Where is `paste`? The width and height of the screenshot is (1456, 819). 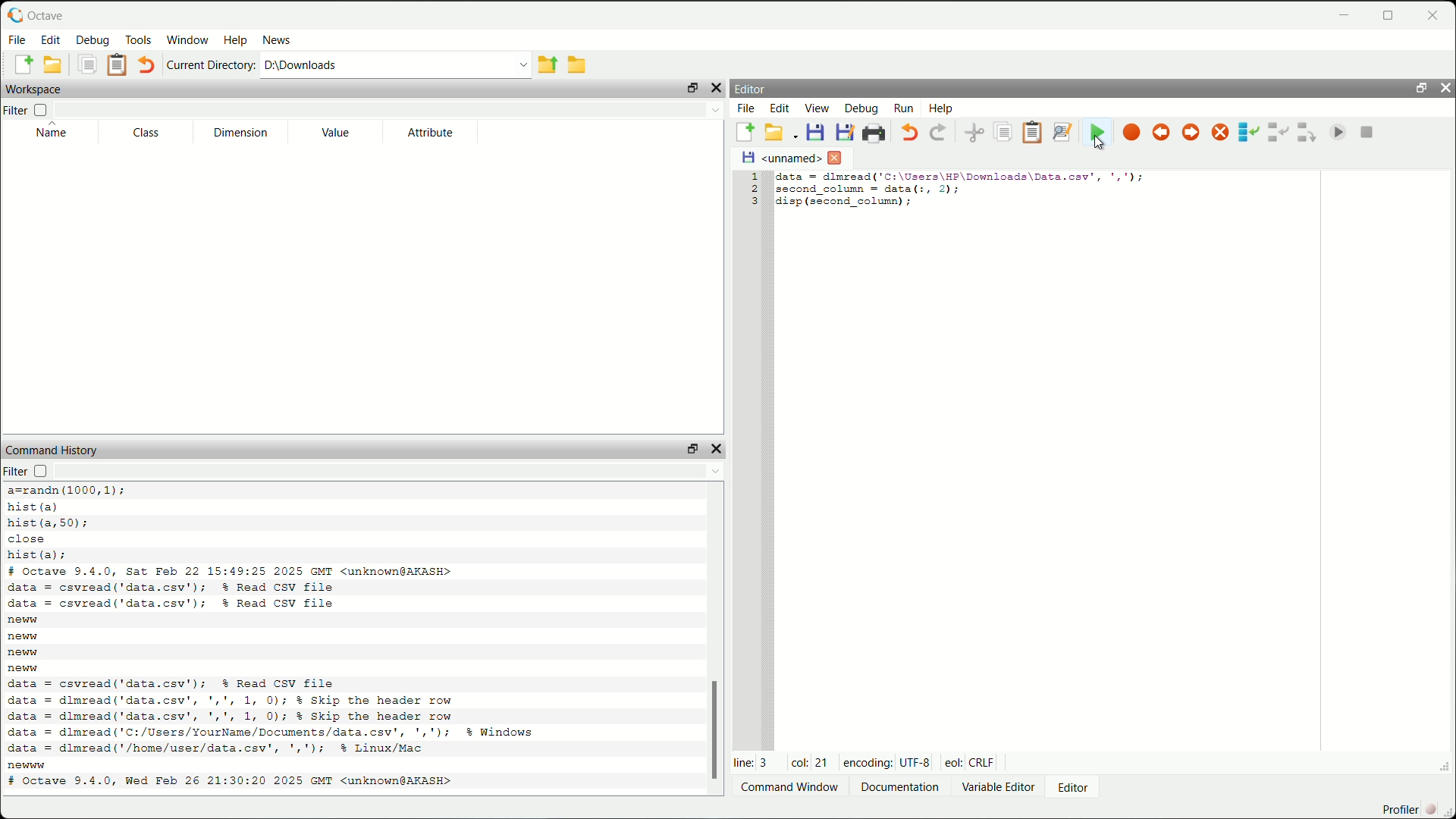
paste is located at coordinates (118, 67).